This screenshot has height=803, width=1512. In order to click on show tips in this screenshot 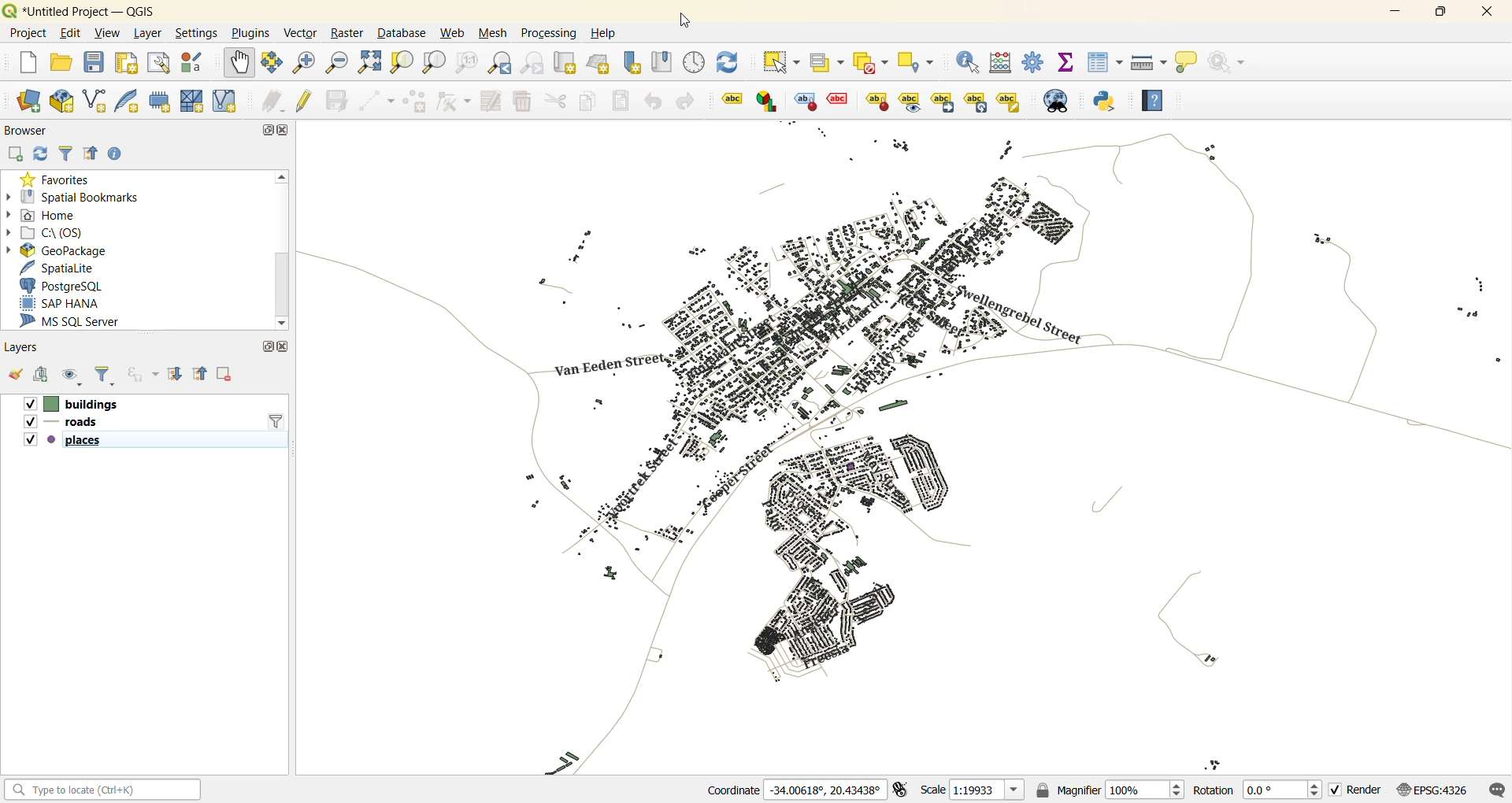, I will do `click(1186, 64)`.